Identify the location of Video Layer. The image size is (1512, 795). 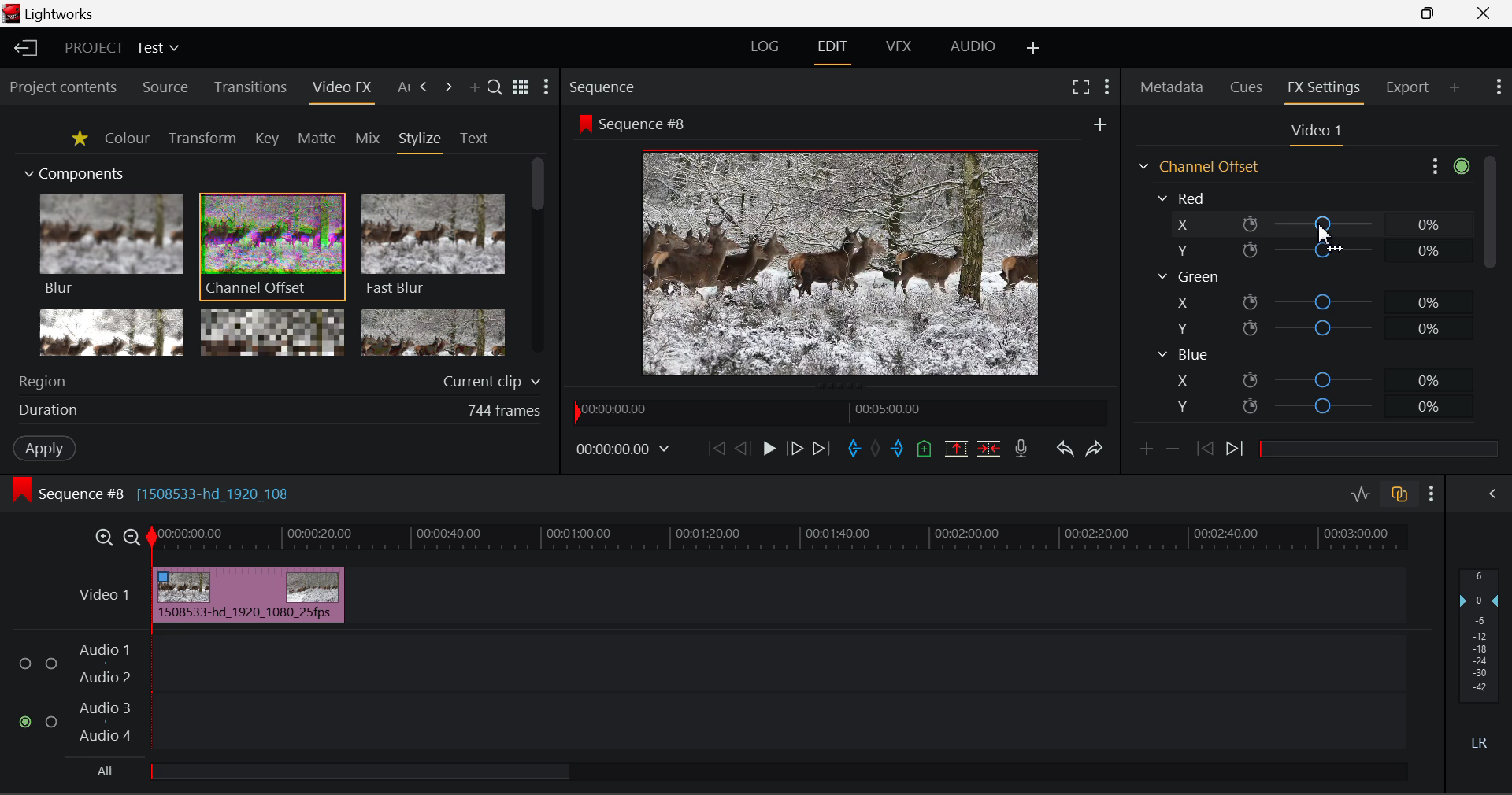
(106, 598).